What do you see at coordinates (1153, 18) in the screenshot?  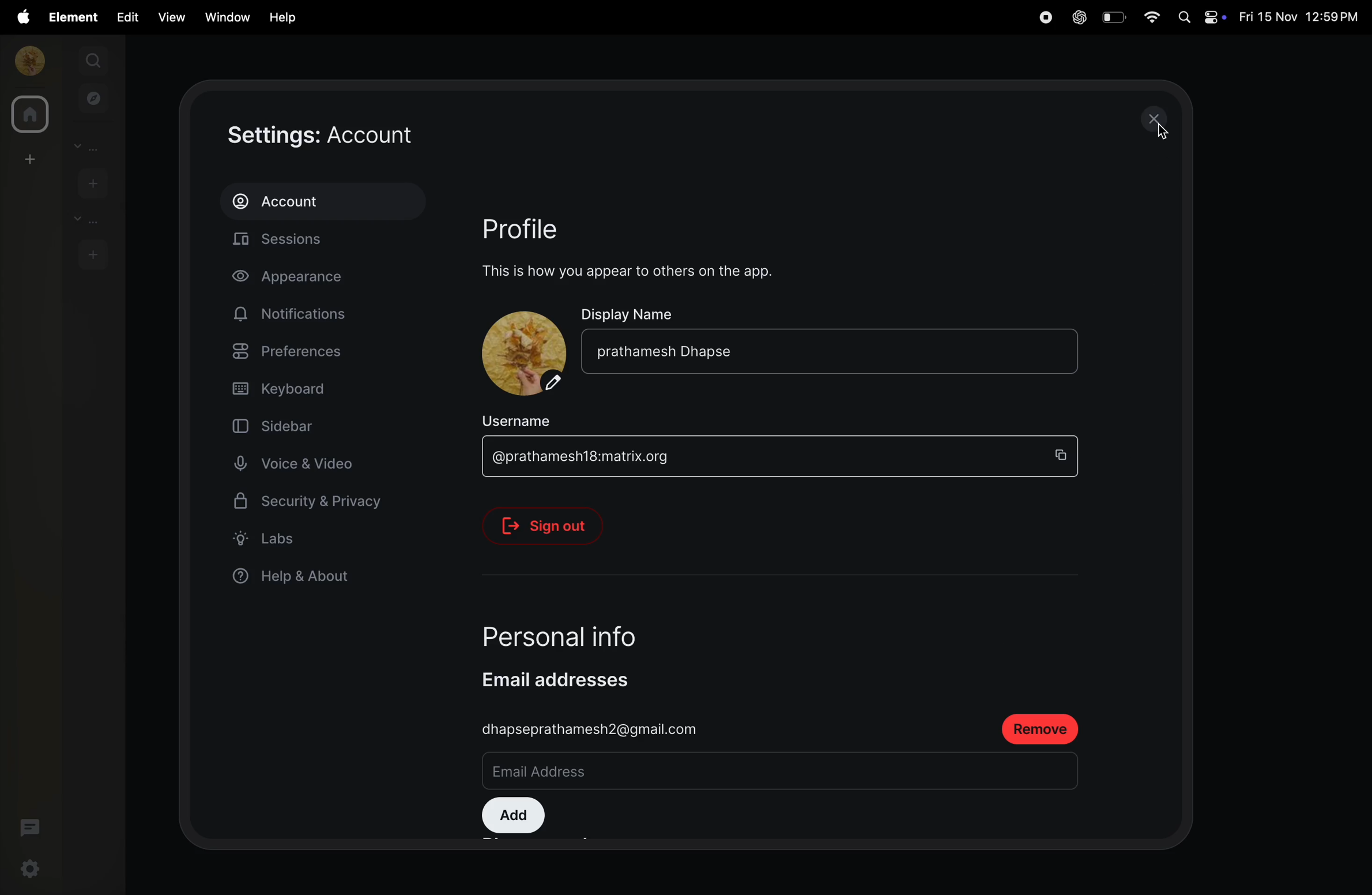 I see `wifi` at bounding box center [1153, 18].